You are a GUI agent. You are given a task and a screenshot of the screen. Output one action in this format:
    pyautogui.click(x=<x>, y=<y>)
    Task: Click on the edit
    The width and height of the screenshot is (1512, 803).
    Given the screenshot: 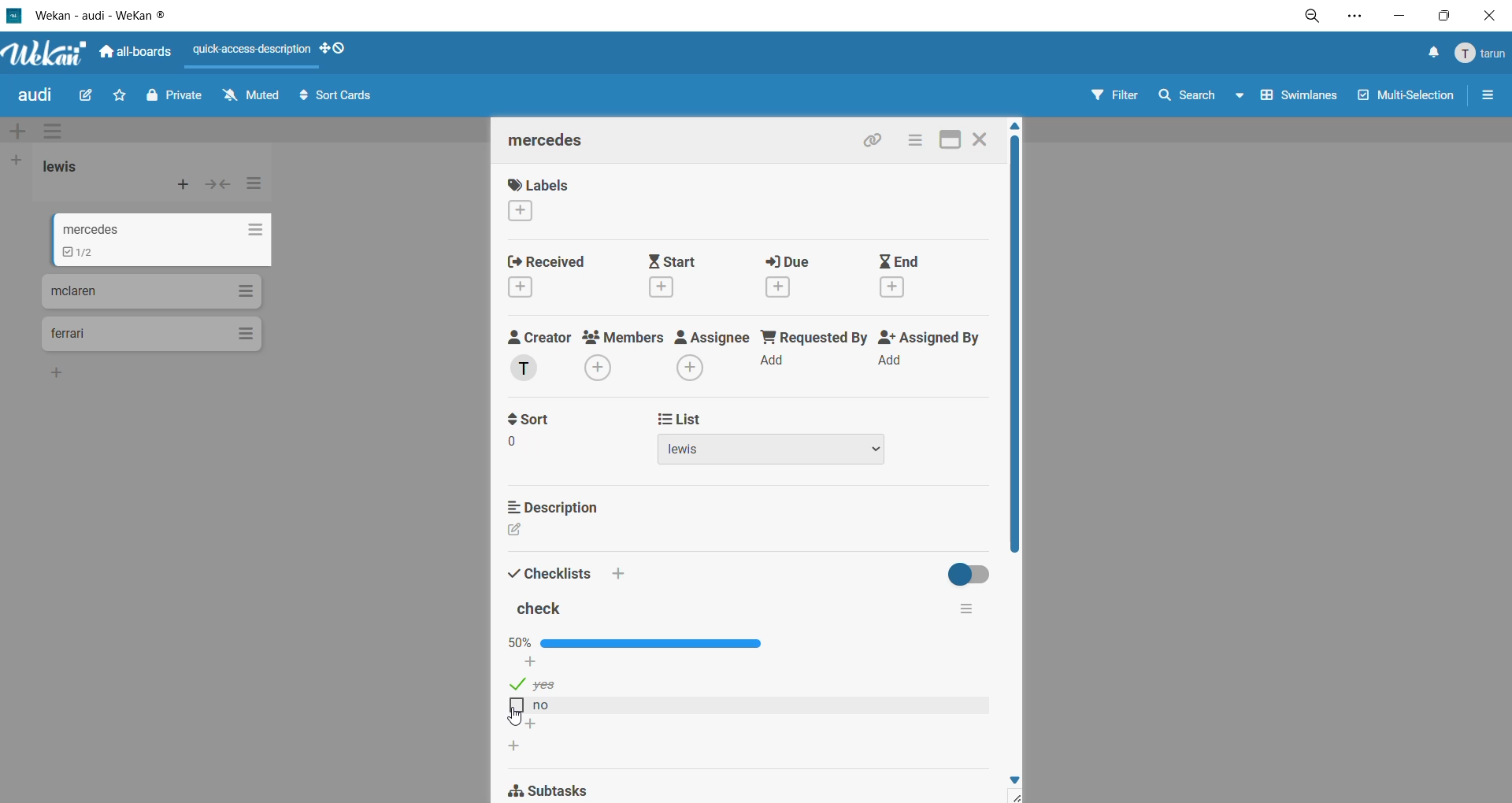 What is the action you would take?
    pyautogui.click(x=90, y=99)
    